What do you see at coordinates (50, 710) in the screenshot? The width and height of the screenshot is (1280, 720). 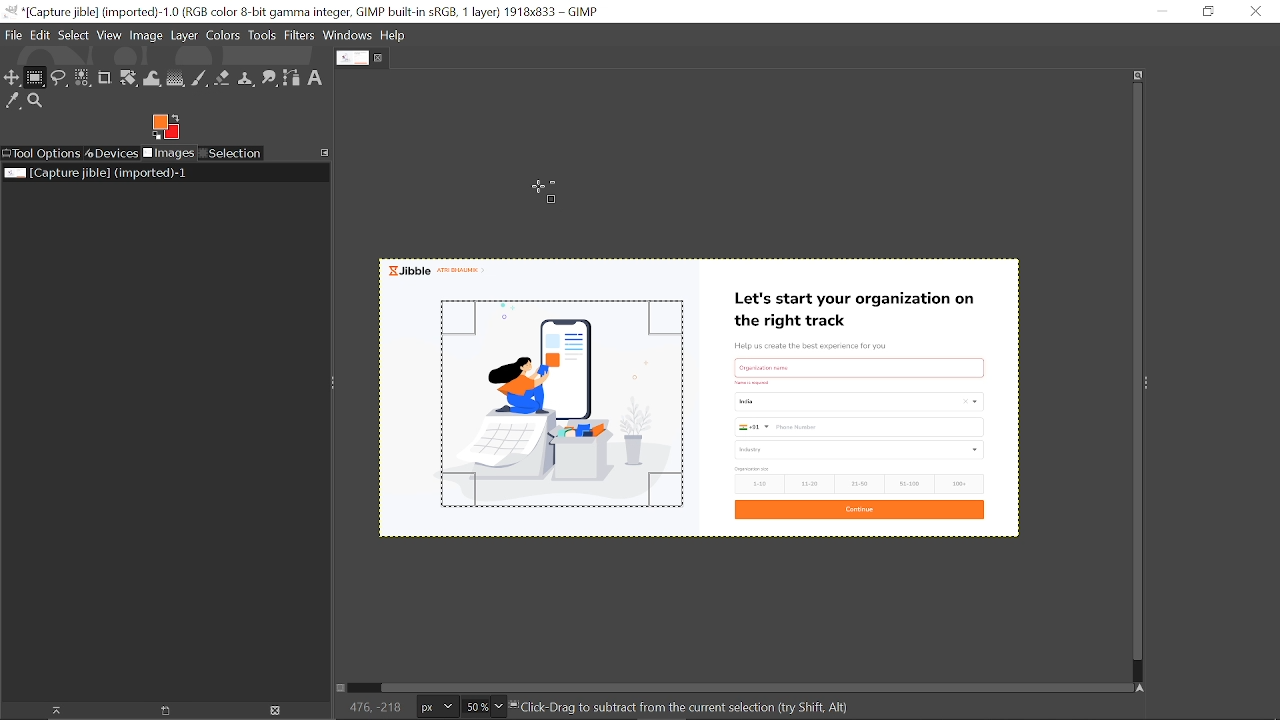 I see `Raise display for this image` at bounding box center [50, 710].